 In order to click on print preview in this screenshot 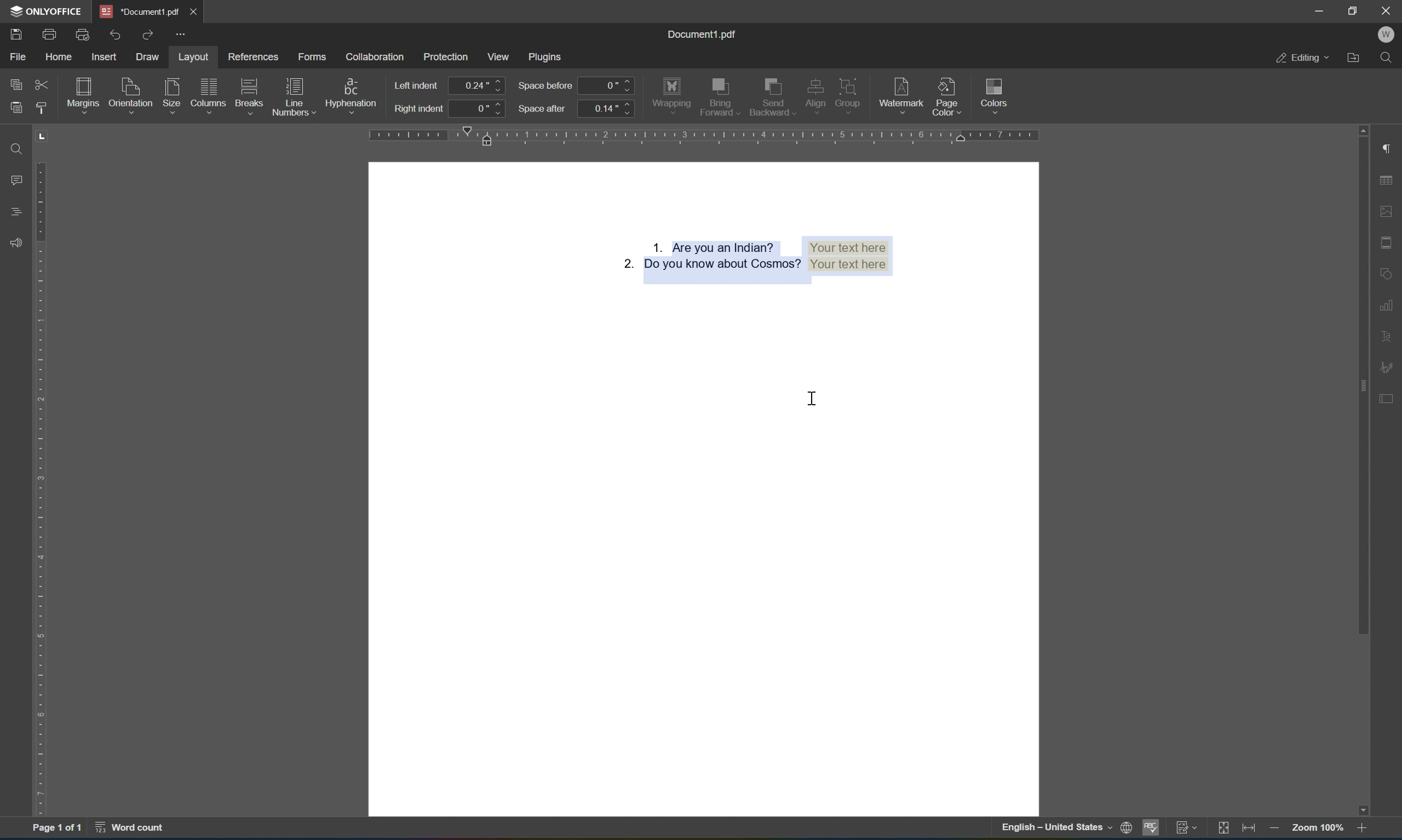, I will do `click(85, 35)`.